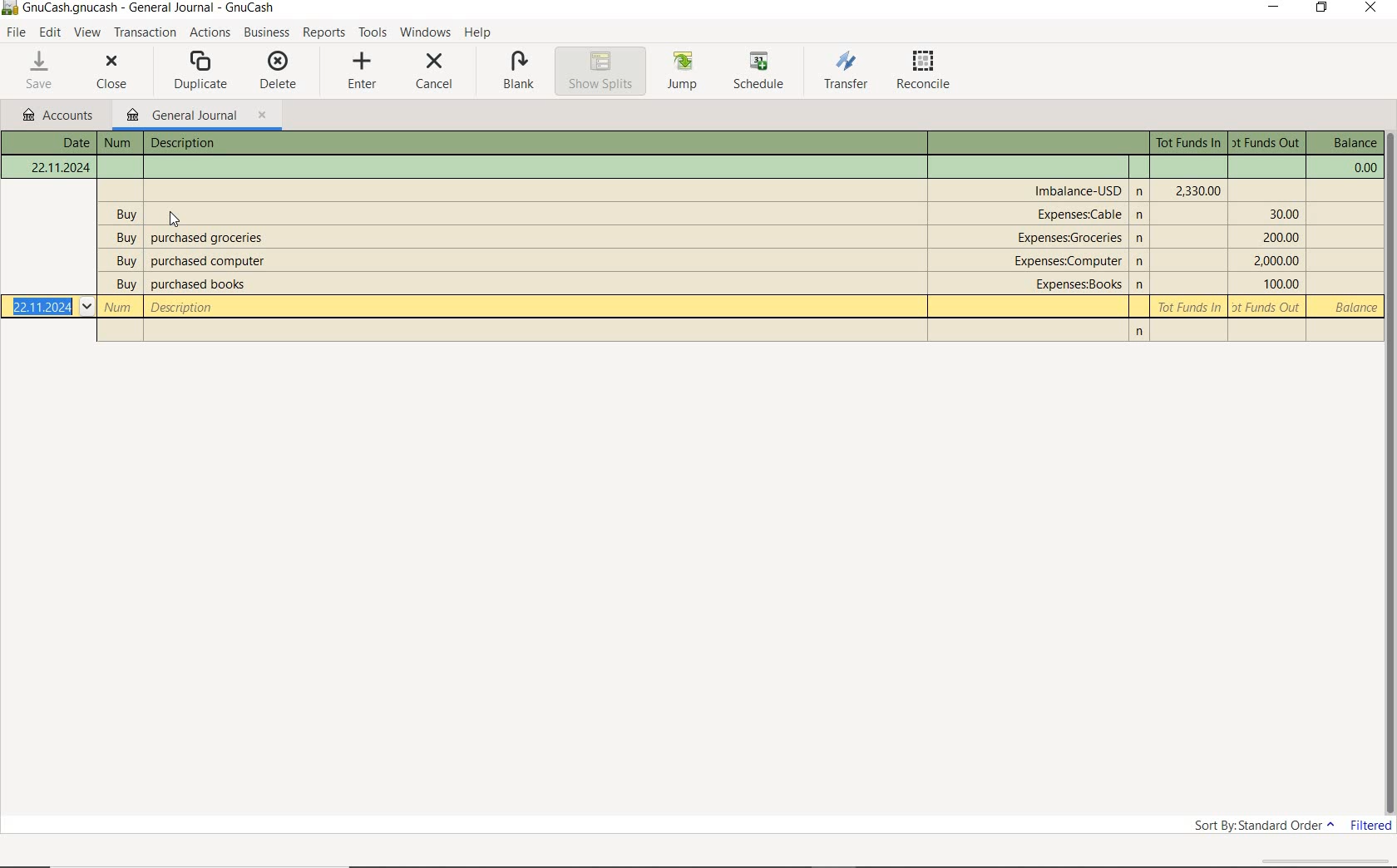  I want to click on Text, so click(739, 307).